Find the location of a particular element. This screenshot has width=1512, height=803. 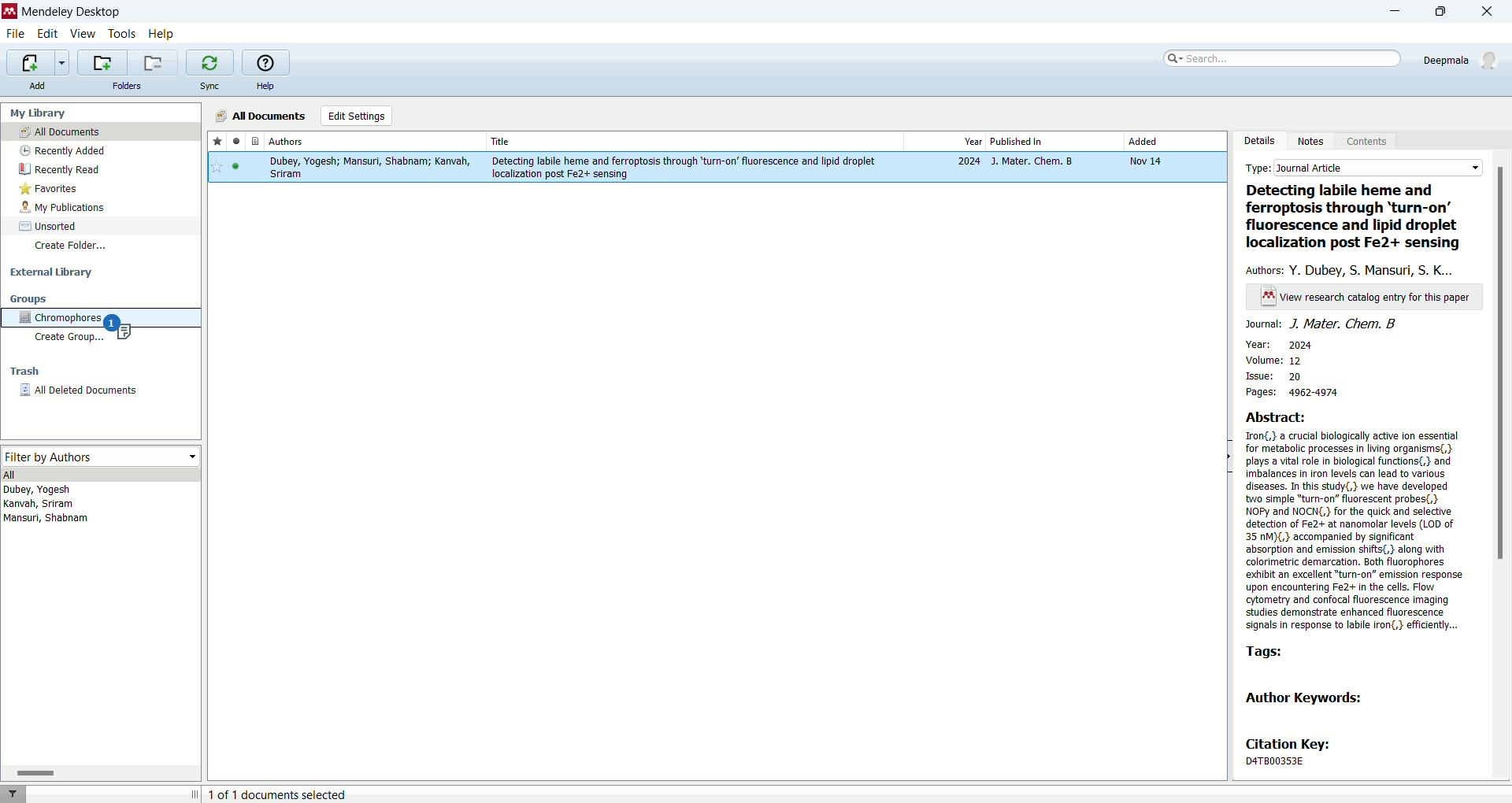

details is located at coordinates (1262, 140).